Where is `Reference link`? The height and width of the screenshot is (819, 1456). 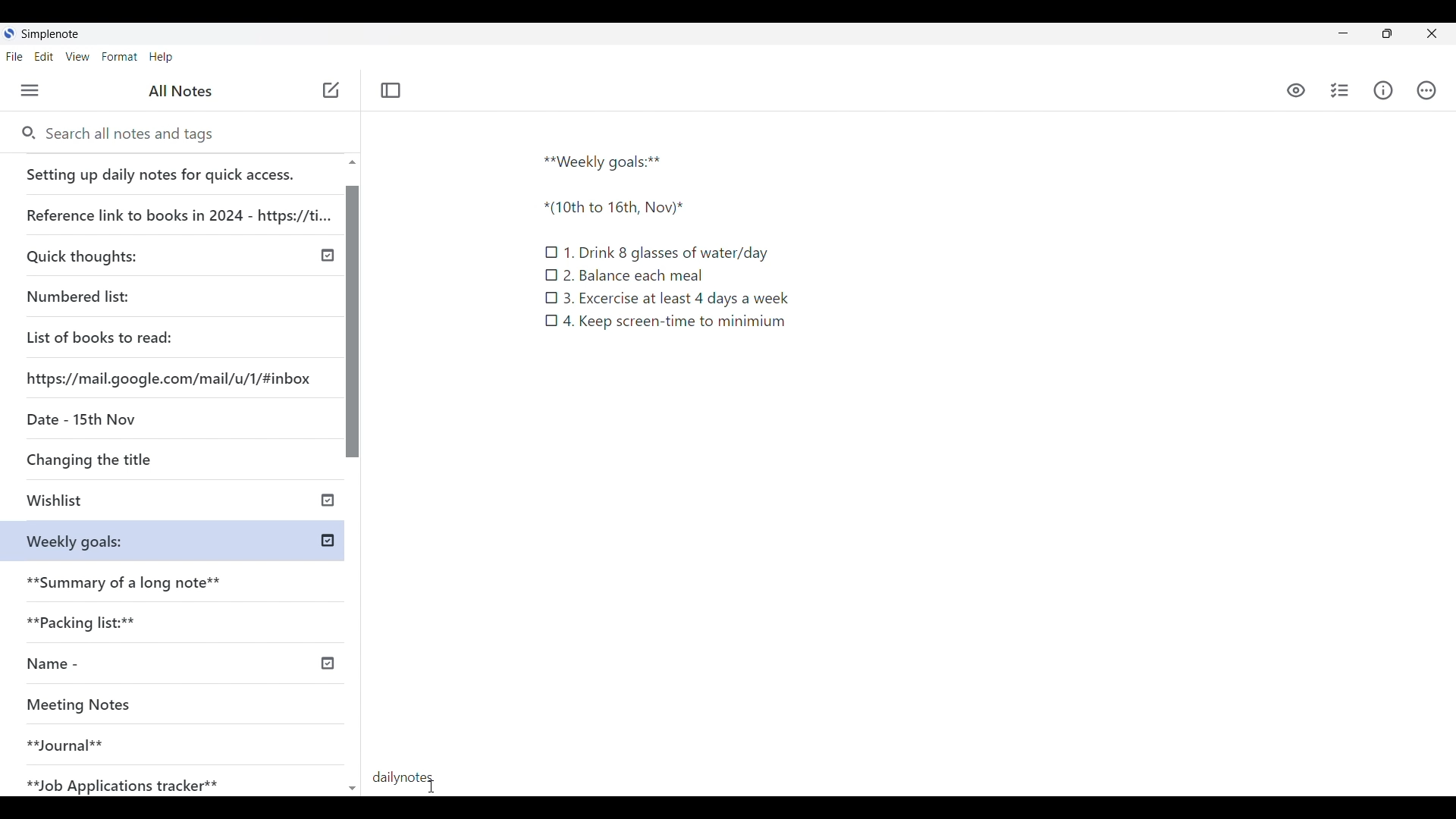 Reference link is located at coordinates (177, 209).